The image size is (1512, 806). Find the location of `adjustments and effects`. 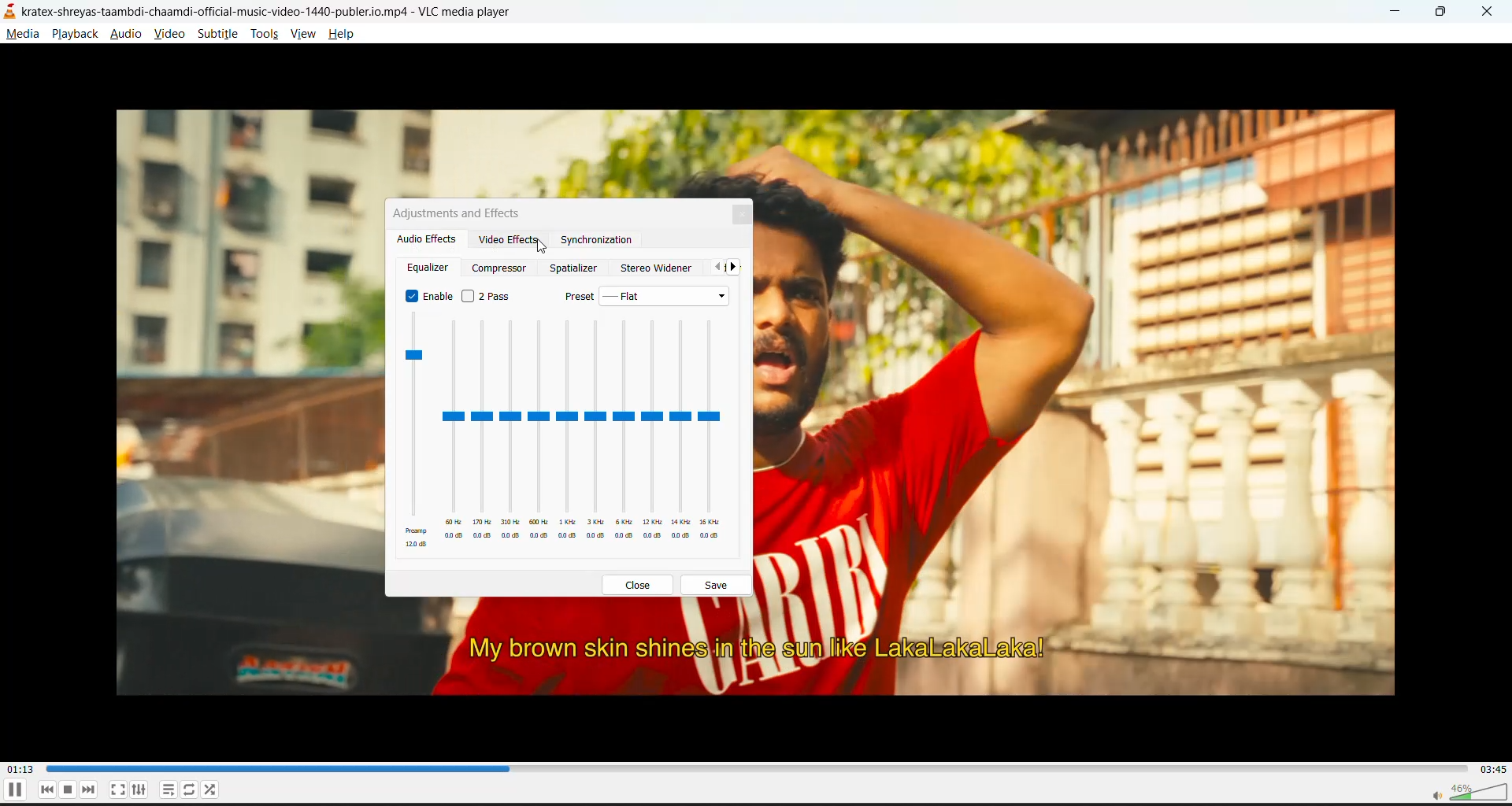

adjustments and effects is located at coordinates (454, 213).